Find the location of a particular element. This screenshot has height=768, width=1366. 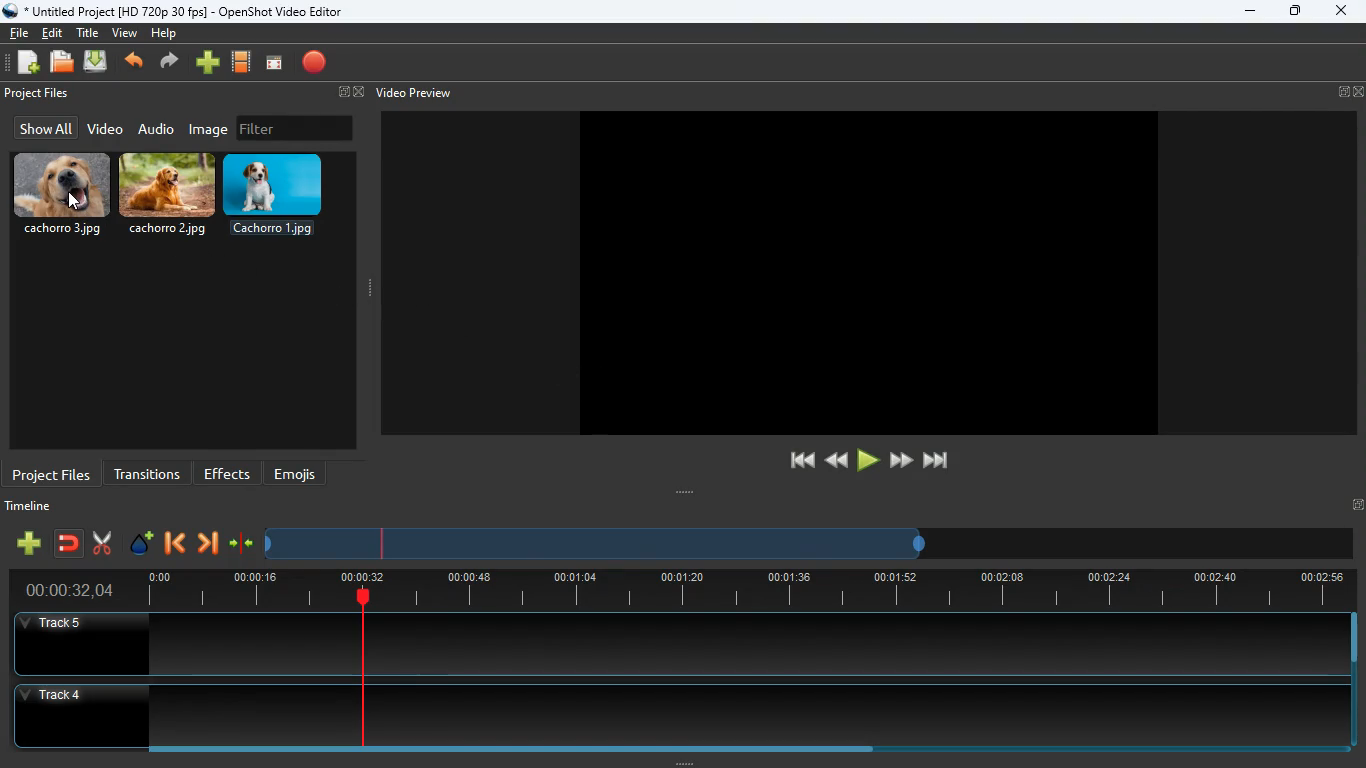

join is located at coordinates (70, 545).